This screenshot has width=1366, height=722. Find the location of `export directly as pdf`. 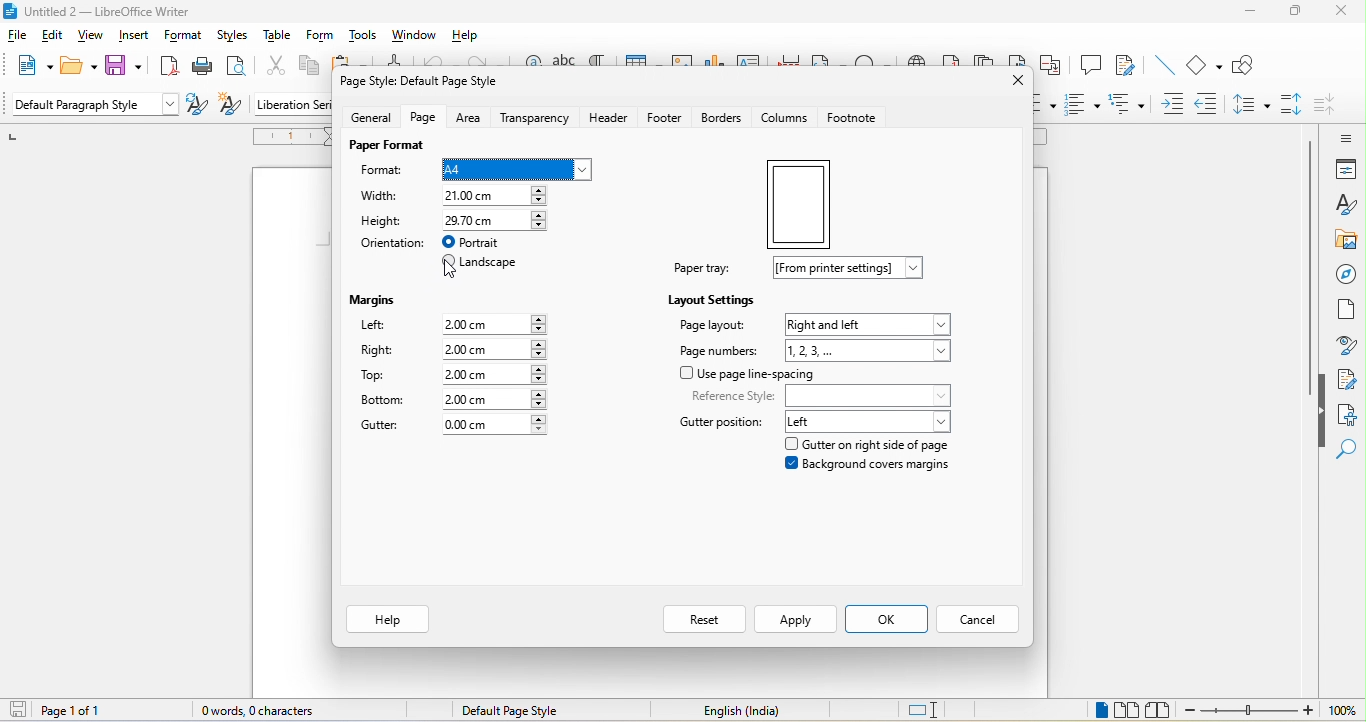

export directly as pdf is located at coordinates (168, 67).